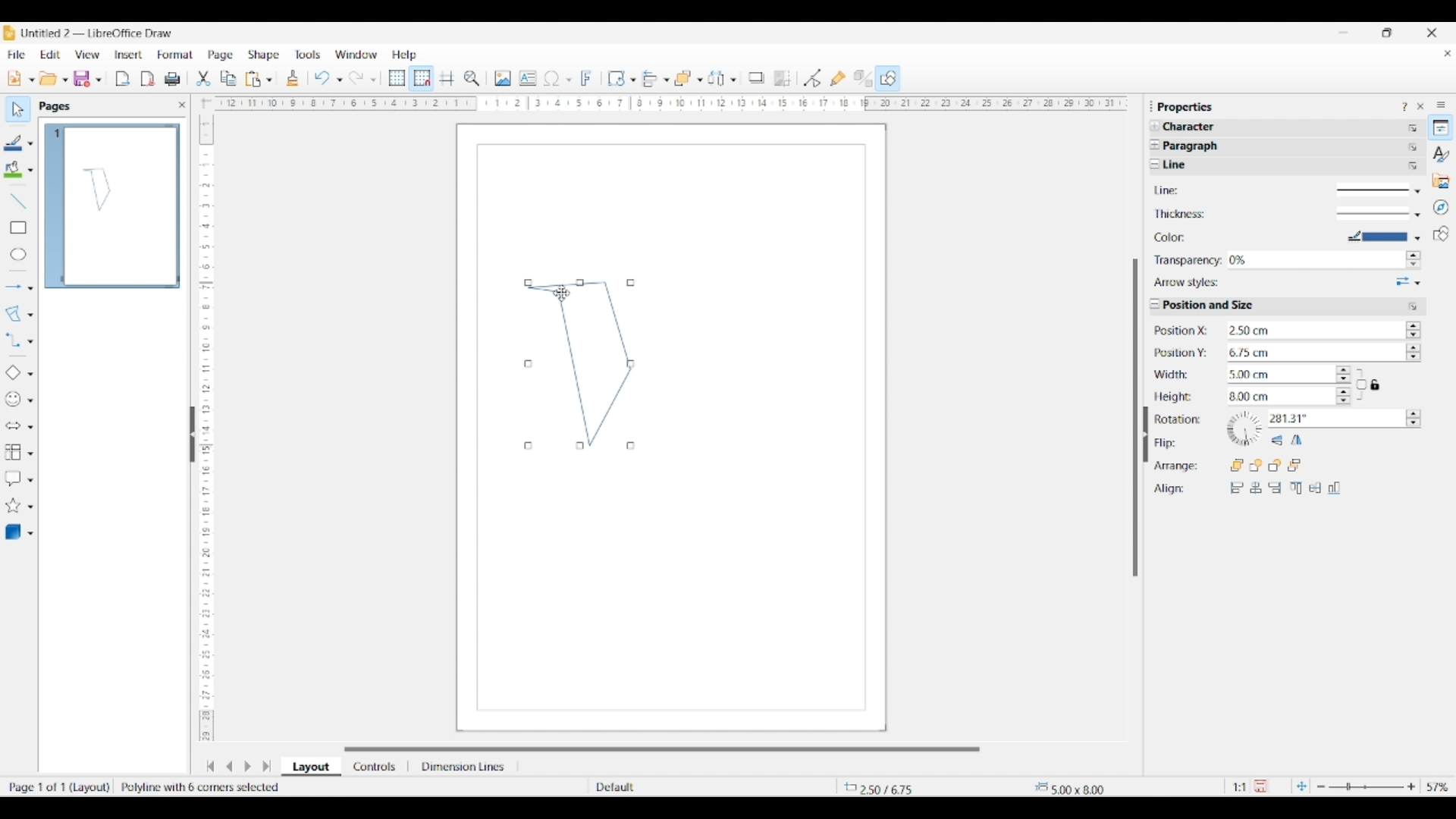  Describe the element at coordinates (700, 80) in the screenshot. I see `Arrange objects options` at that location.